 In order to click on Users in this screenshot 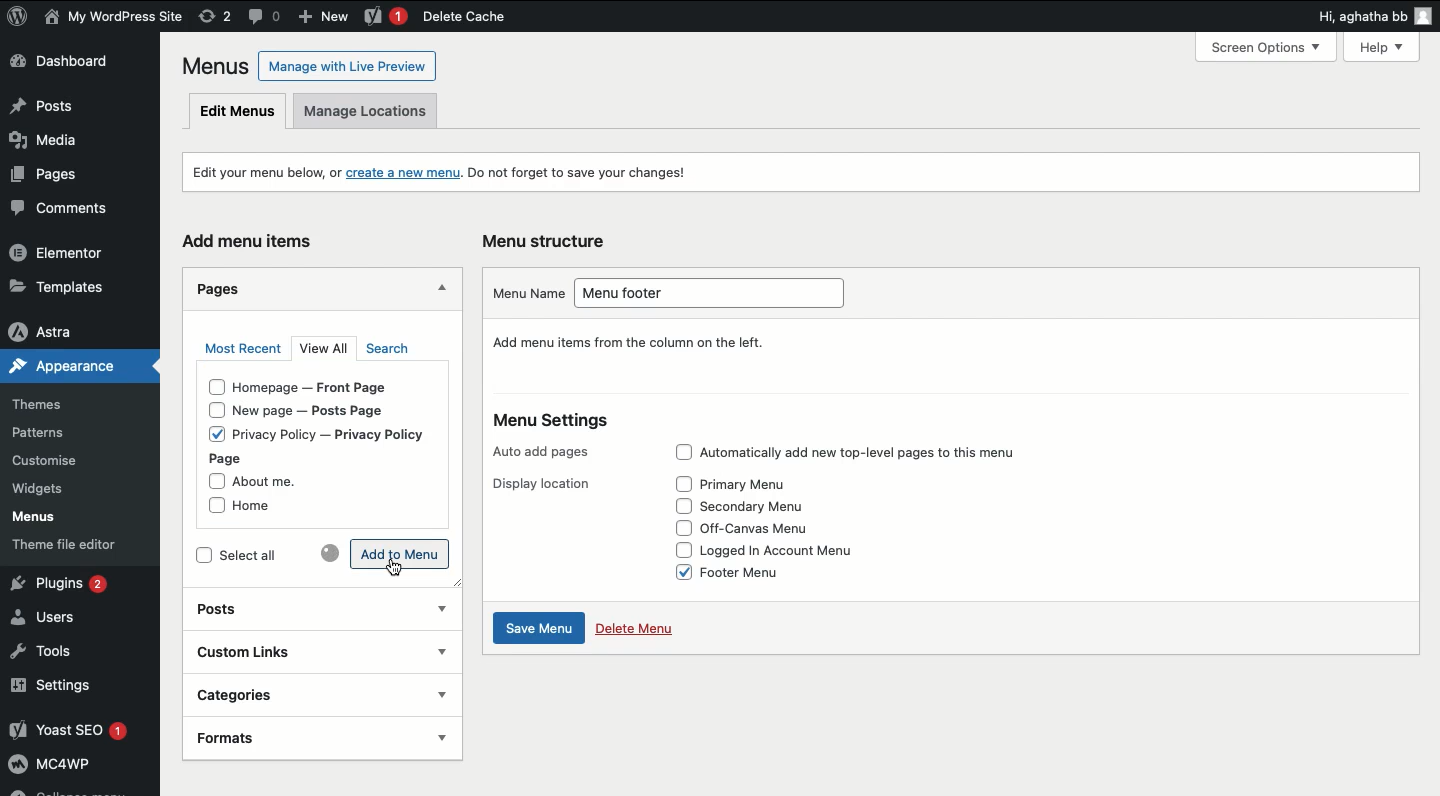, I will do `click(57, 619)`.